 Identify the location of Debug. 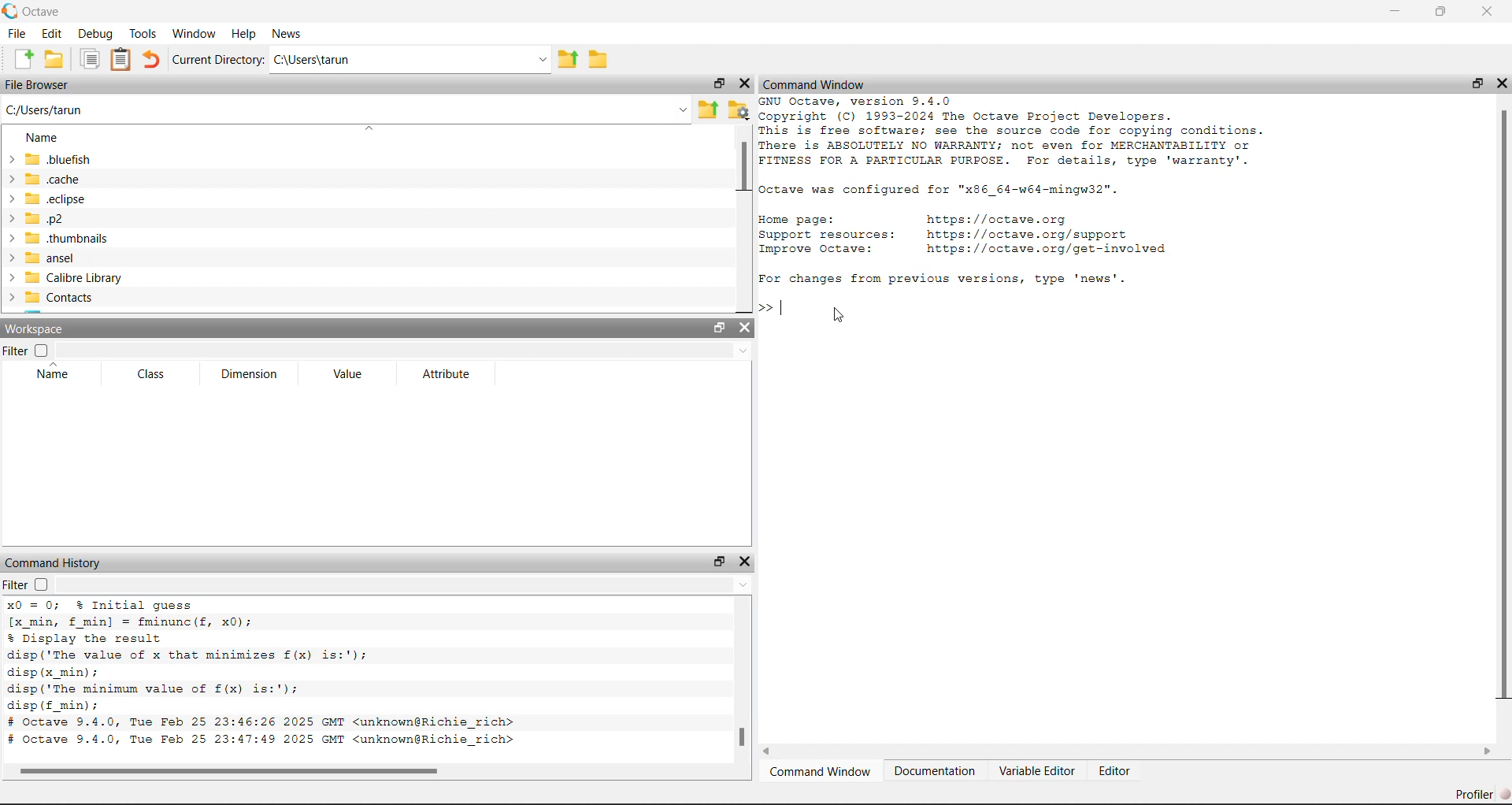
(94, 34).